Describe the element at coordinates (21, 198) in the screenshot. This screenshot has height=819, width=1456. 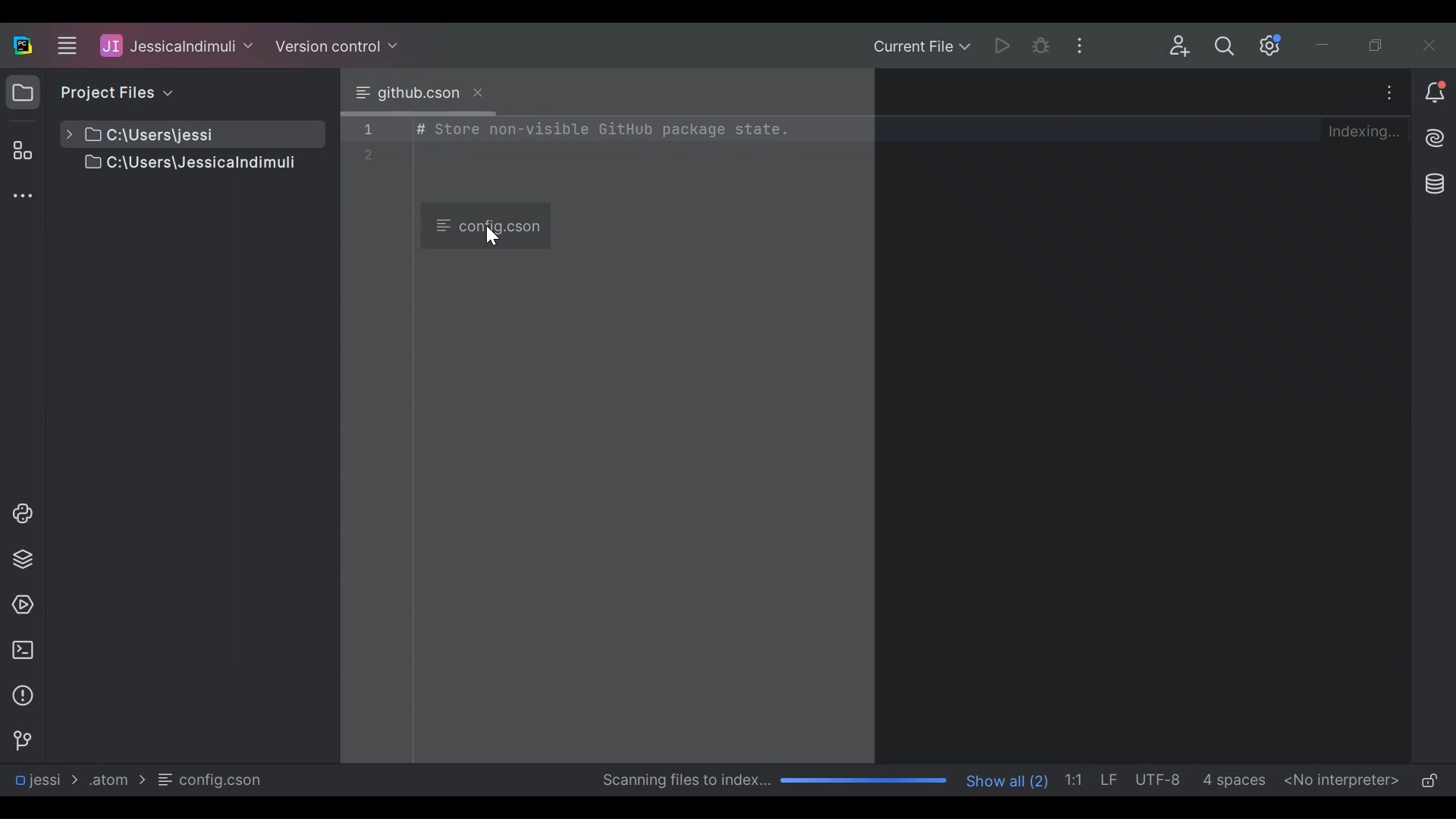
I see `` at that location.